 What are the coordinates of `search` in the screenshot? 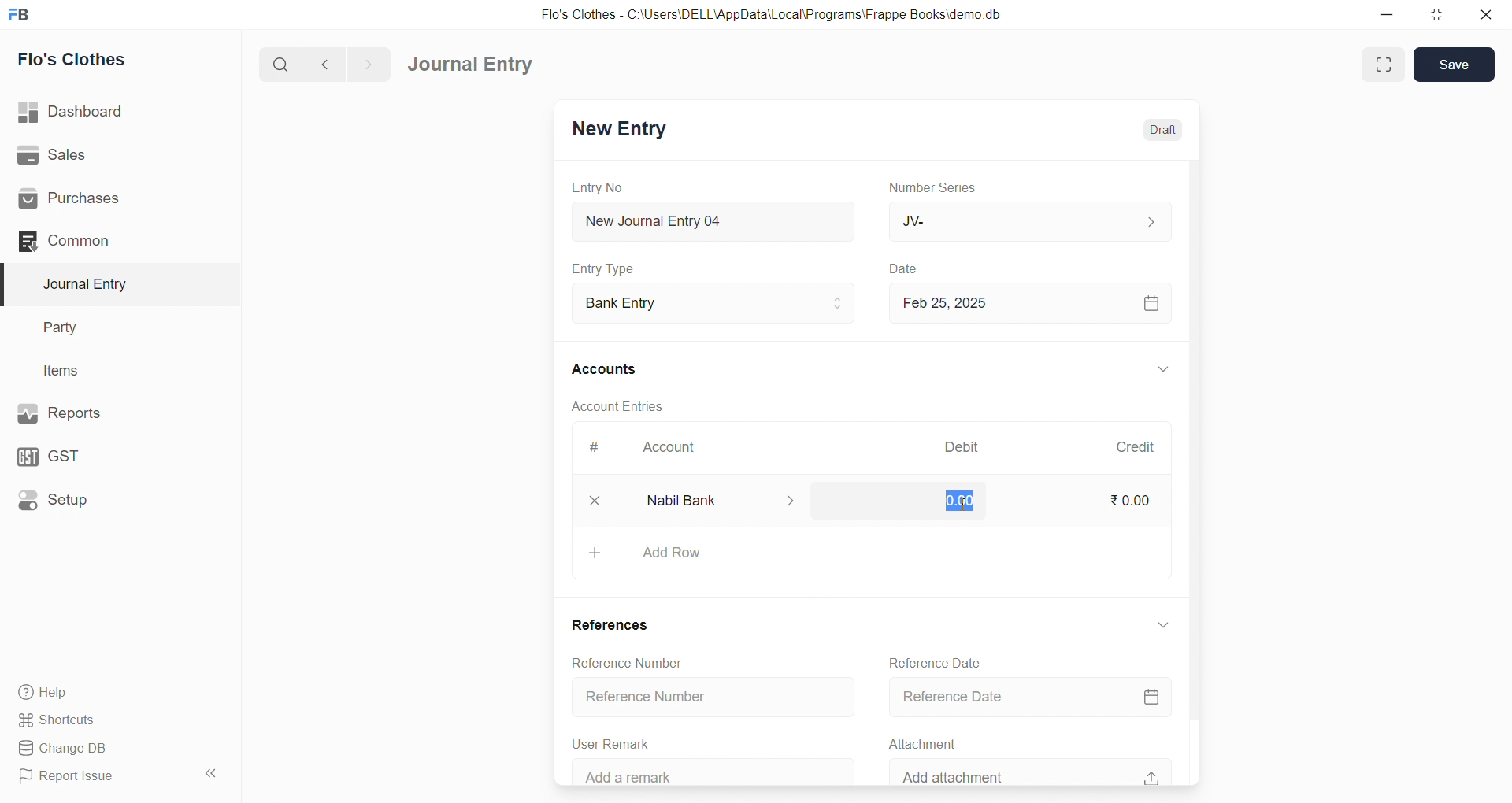 It's located at (283, 63).